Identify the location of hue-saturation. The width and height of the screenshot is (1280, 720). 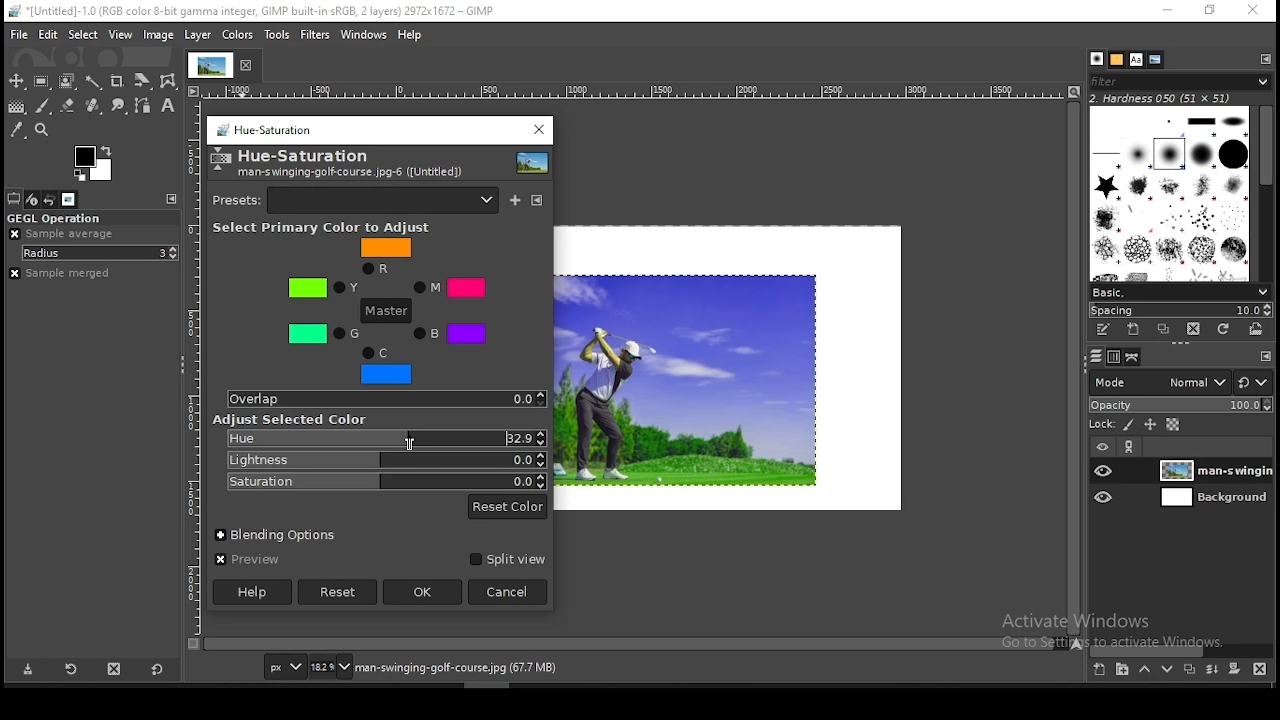
(305, 156).